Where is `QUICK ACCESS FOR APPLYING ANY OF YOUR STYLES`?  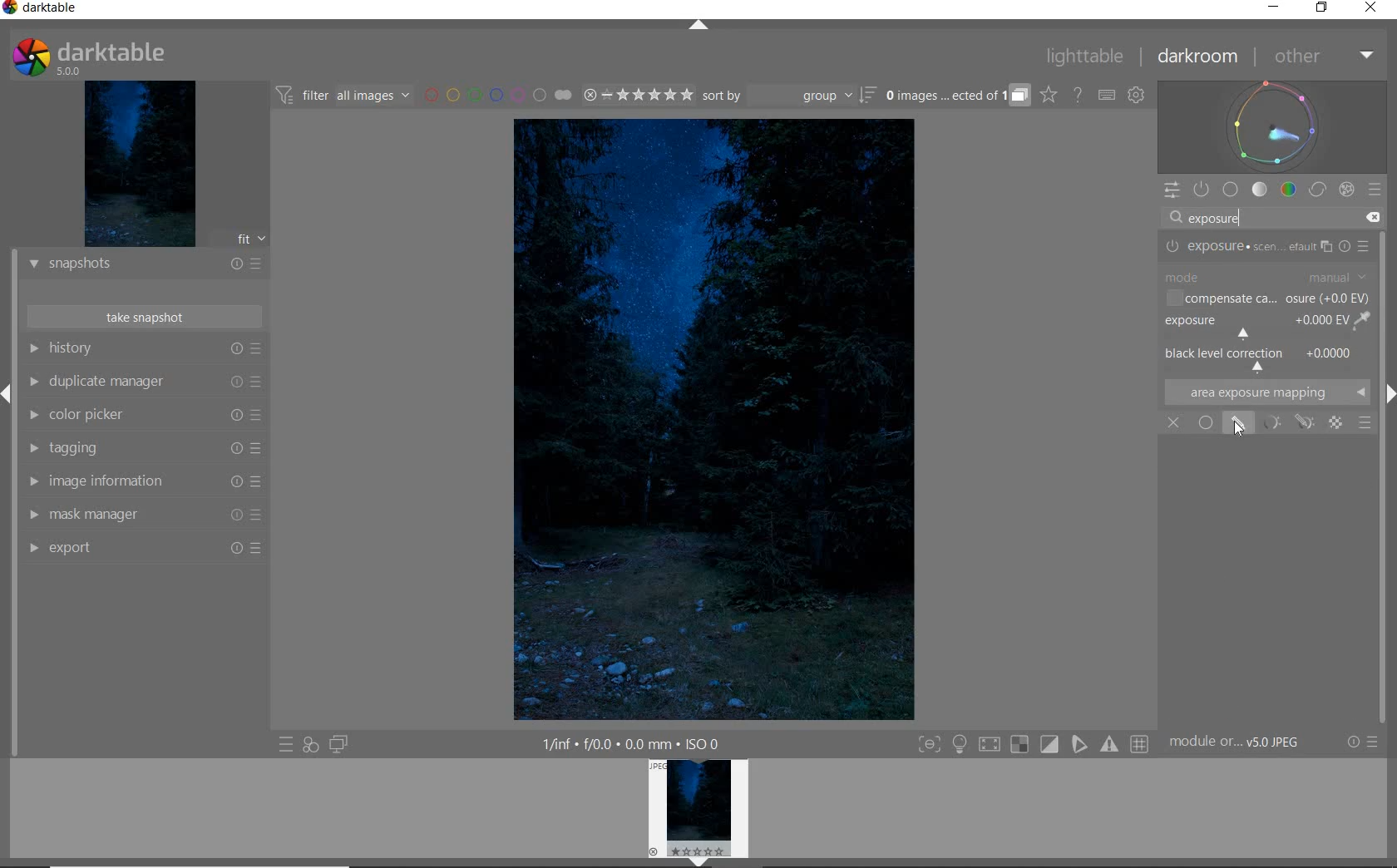 QUICK ACCESS FOR APPLYING ANY OF YOUR STYLES is located at coordinates (309, 746).